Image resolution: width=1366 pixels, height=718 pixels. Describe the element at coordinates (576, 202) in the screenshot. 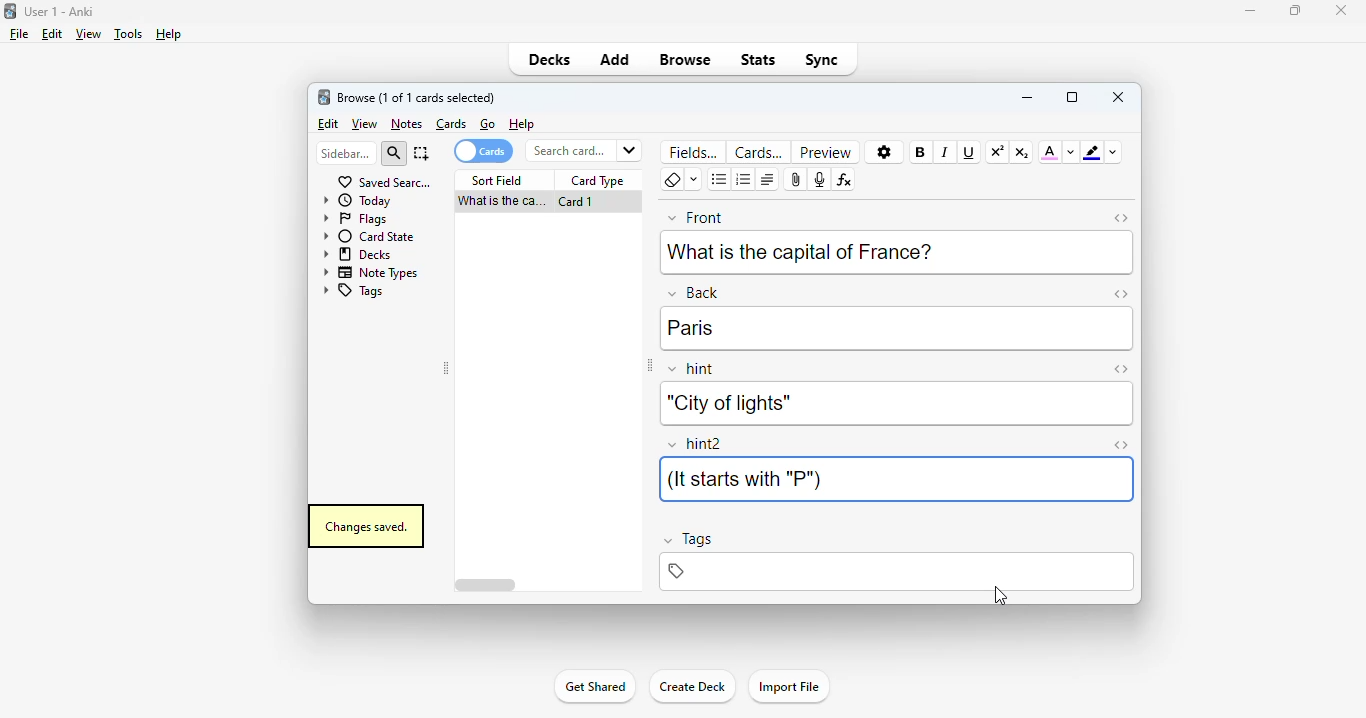

I see `card 1` at that location.